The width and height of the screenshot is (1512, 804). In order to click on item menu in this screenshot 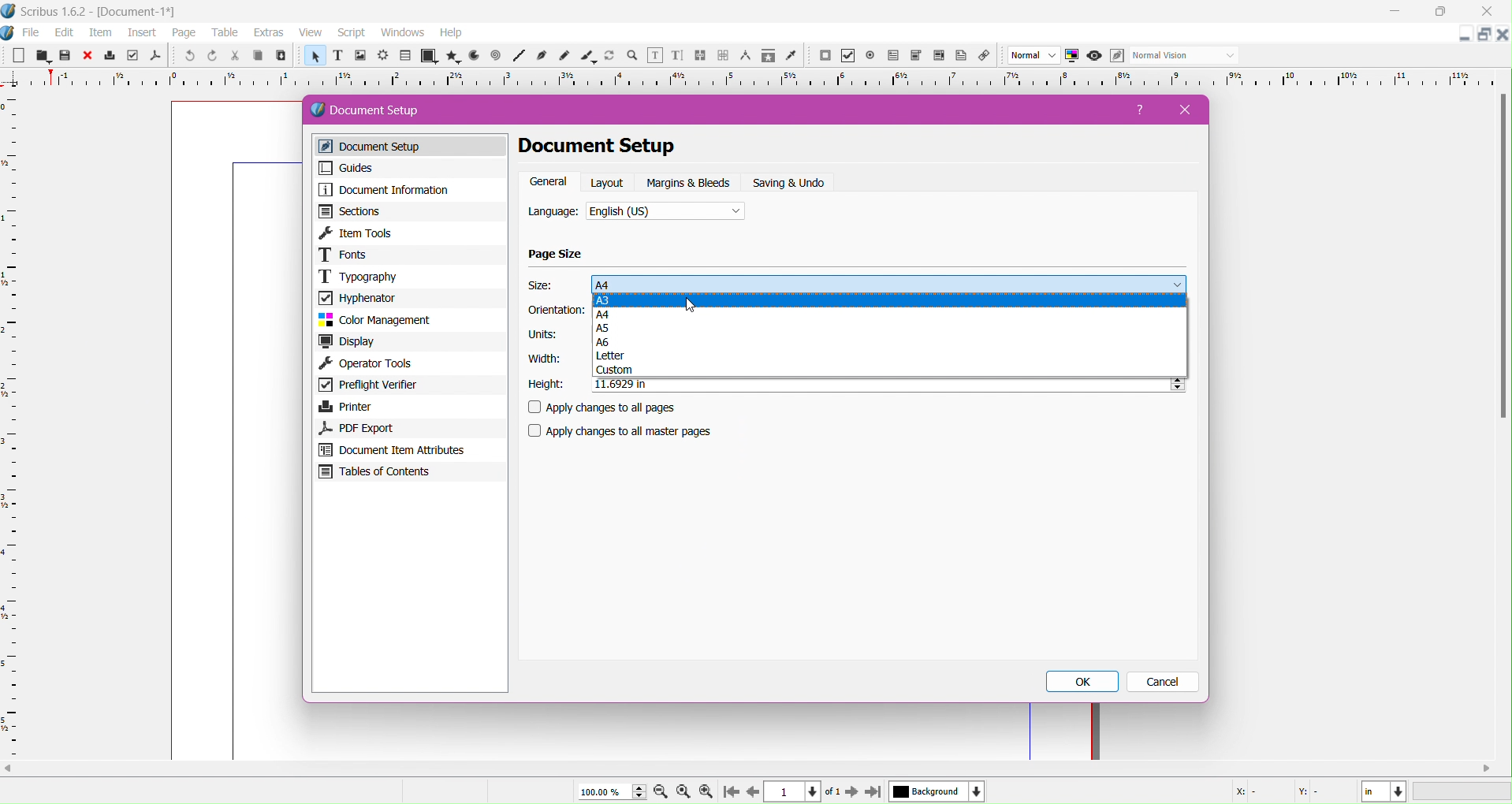, I will do `click(102, 34)`.